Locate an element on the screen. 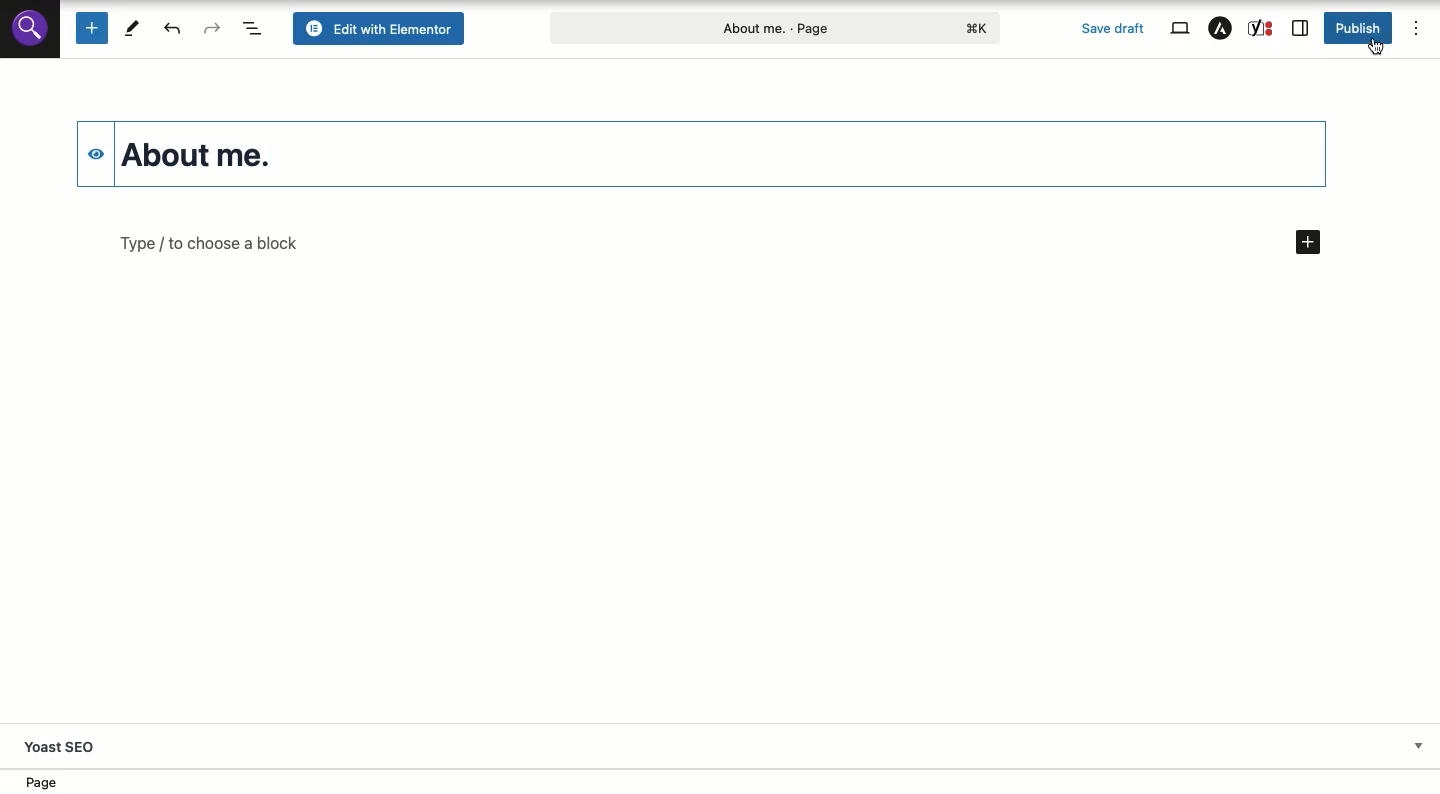  View is located at coordinates (1181, 27).